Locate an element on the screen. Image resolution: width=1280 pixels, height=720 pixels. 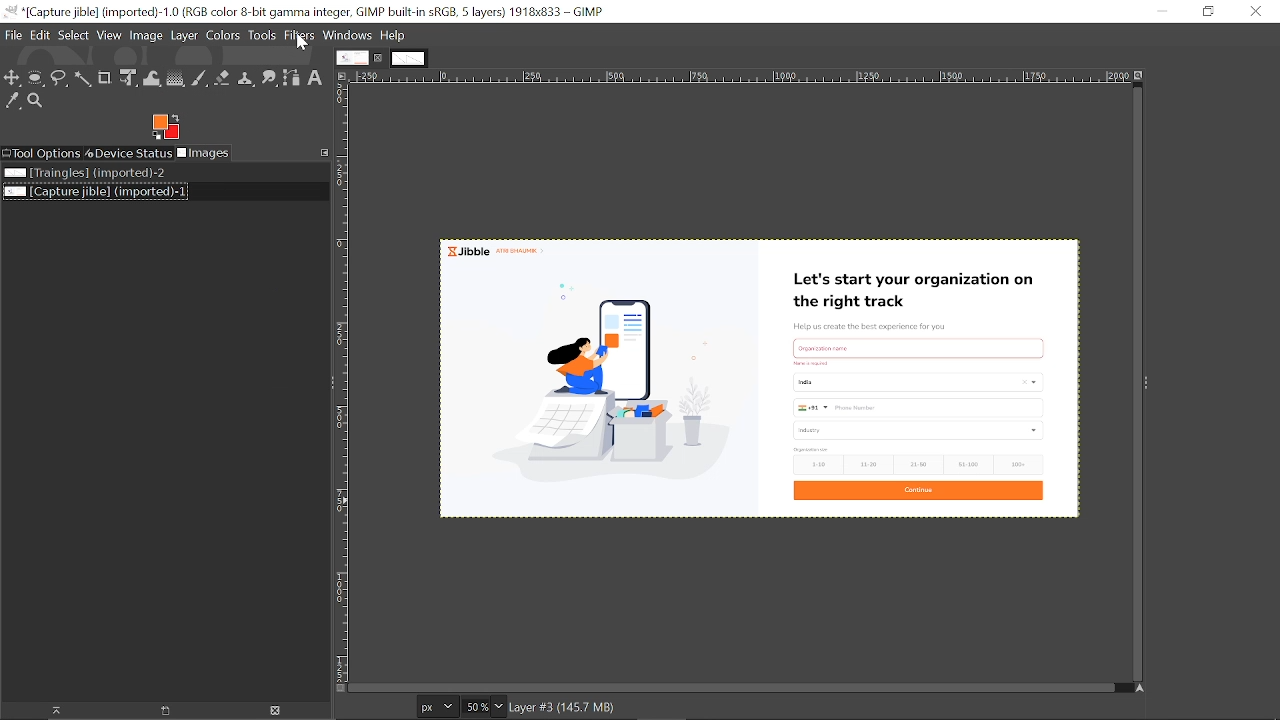
Smudge tool is located at coordinates (270, 77).